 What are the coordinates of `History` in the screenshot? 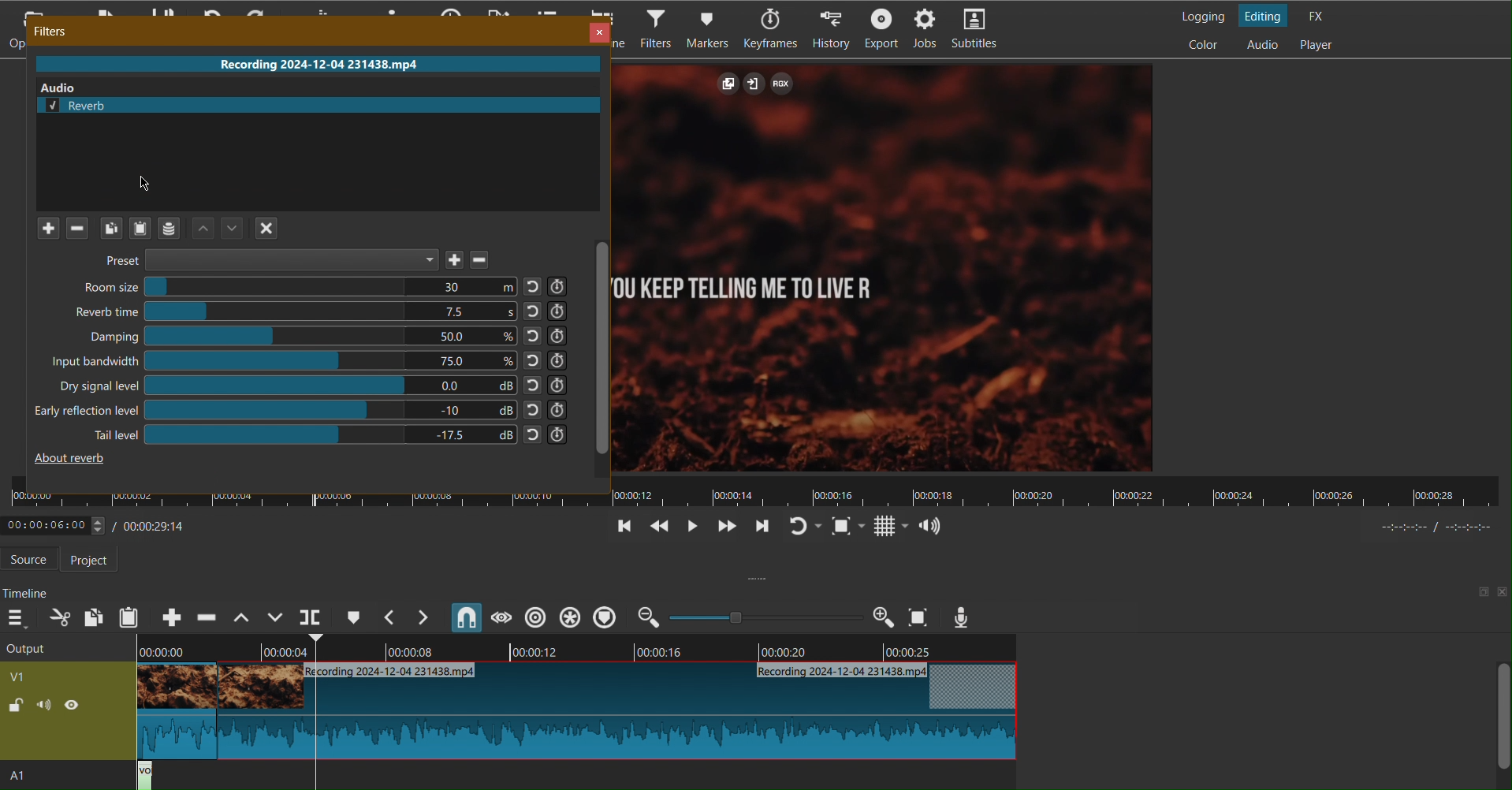 It's located at (832, 28).